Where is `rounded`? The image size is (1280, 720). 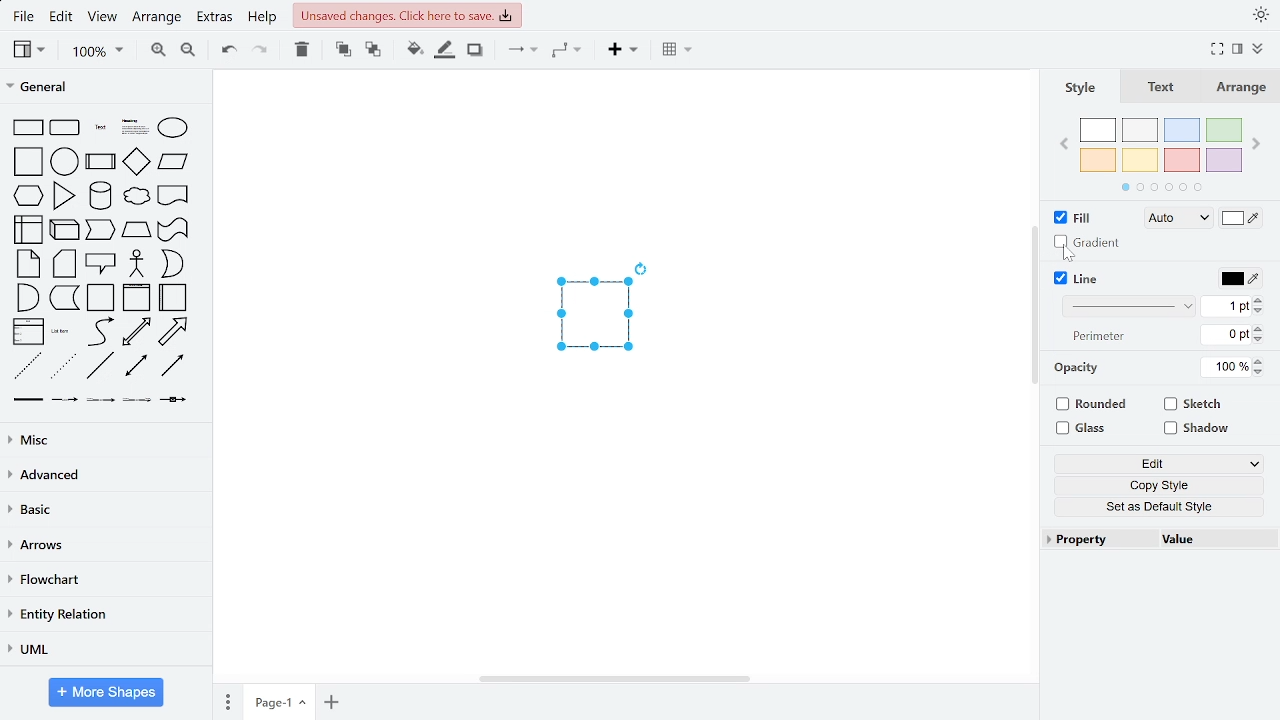 rounded is located at coordinates (1092, 405).